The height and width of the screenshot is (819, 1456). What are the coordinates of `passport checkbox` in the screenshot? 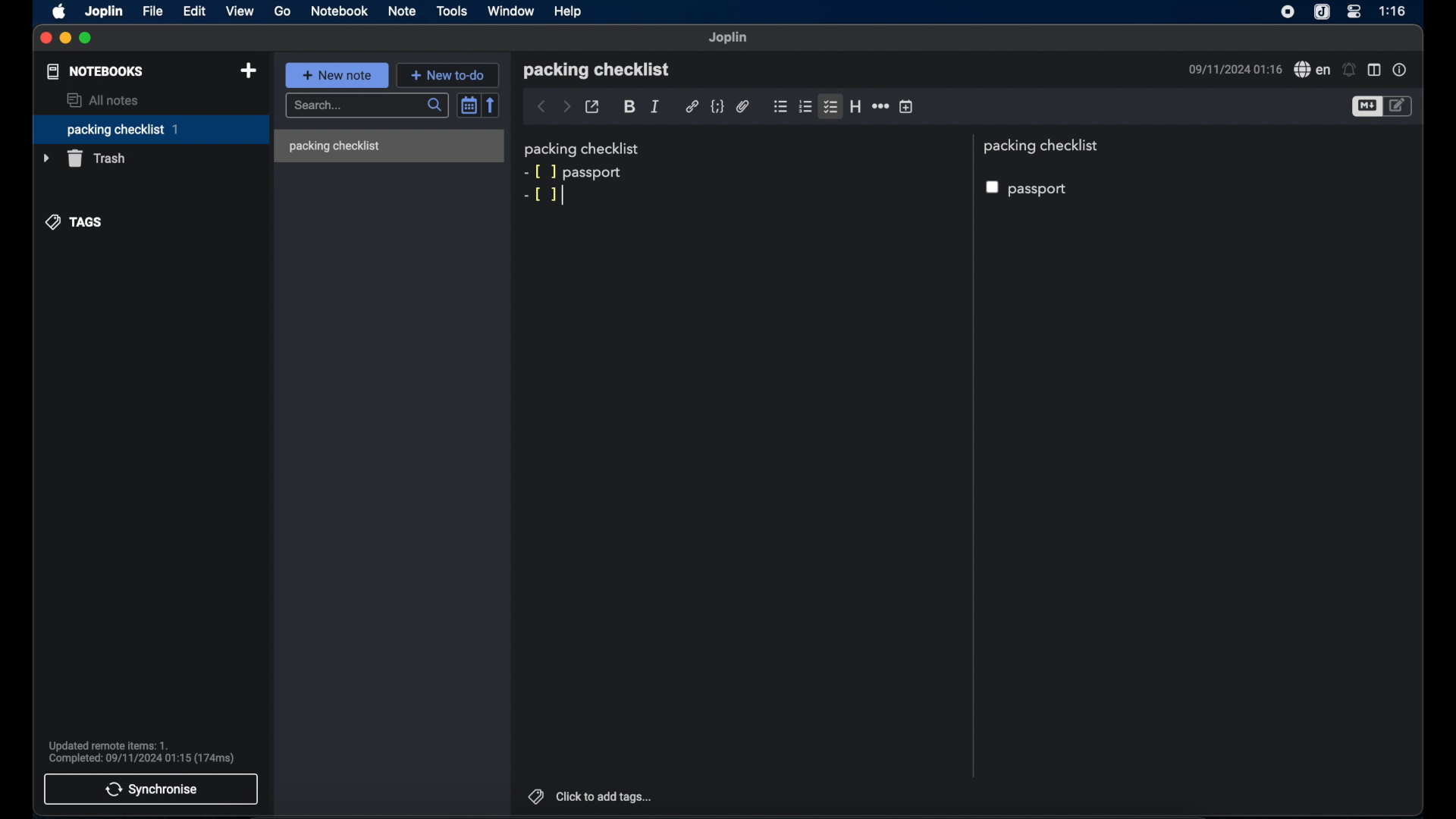 It's located at (1029, 190).